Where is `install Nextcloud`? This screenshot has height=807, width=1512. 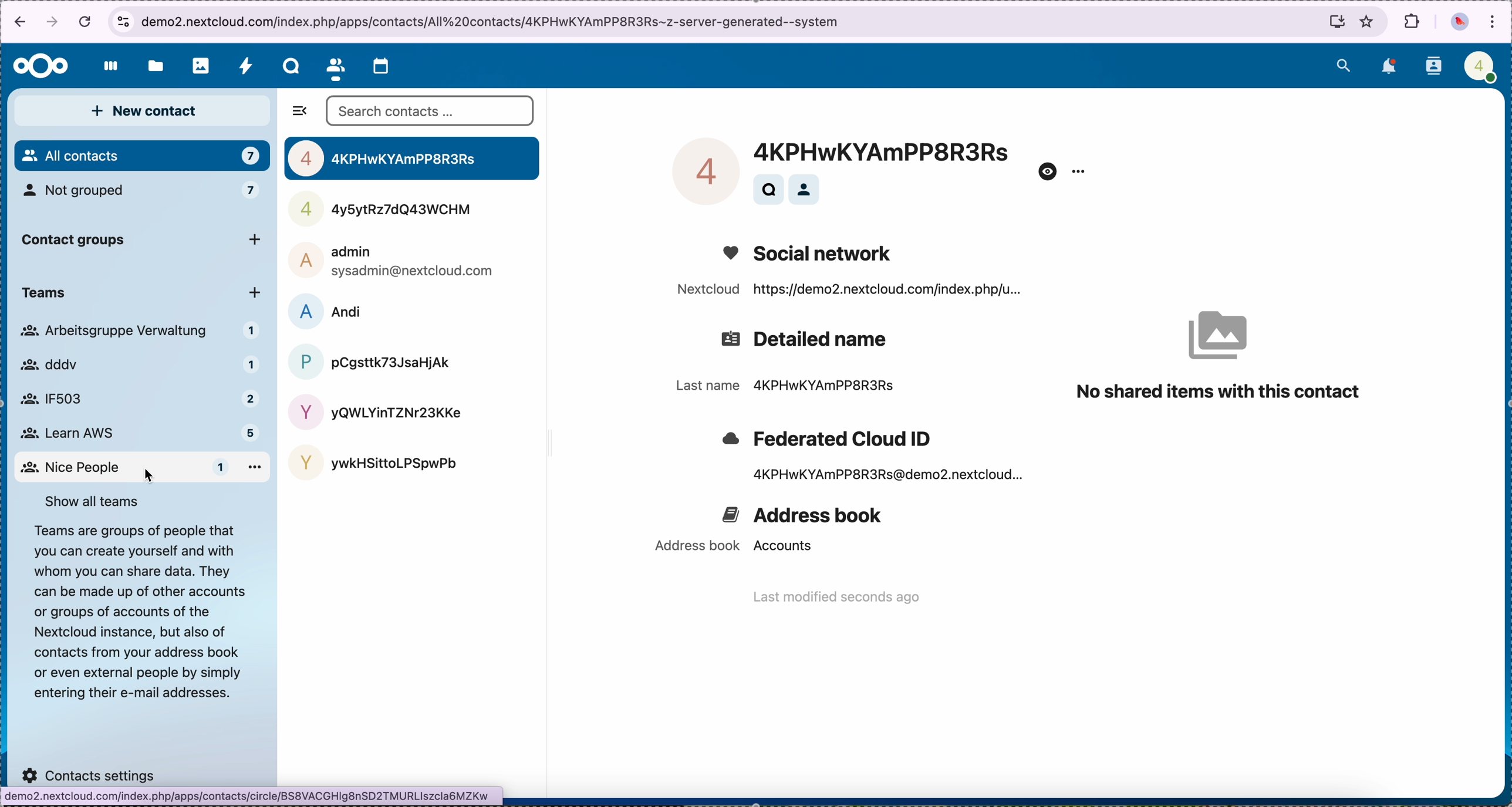
install Nextcloud is located at coordinates (1331, 21).